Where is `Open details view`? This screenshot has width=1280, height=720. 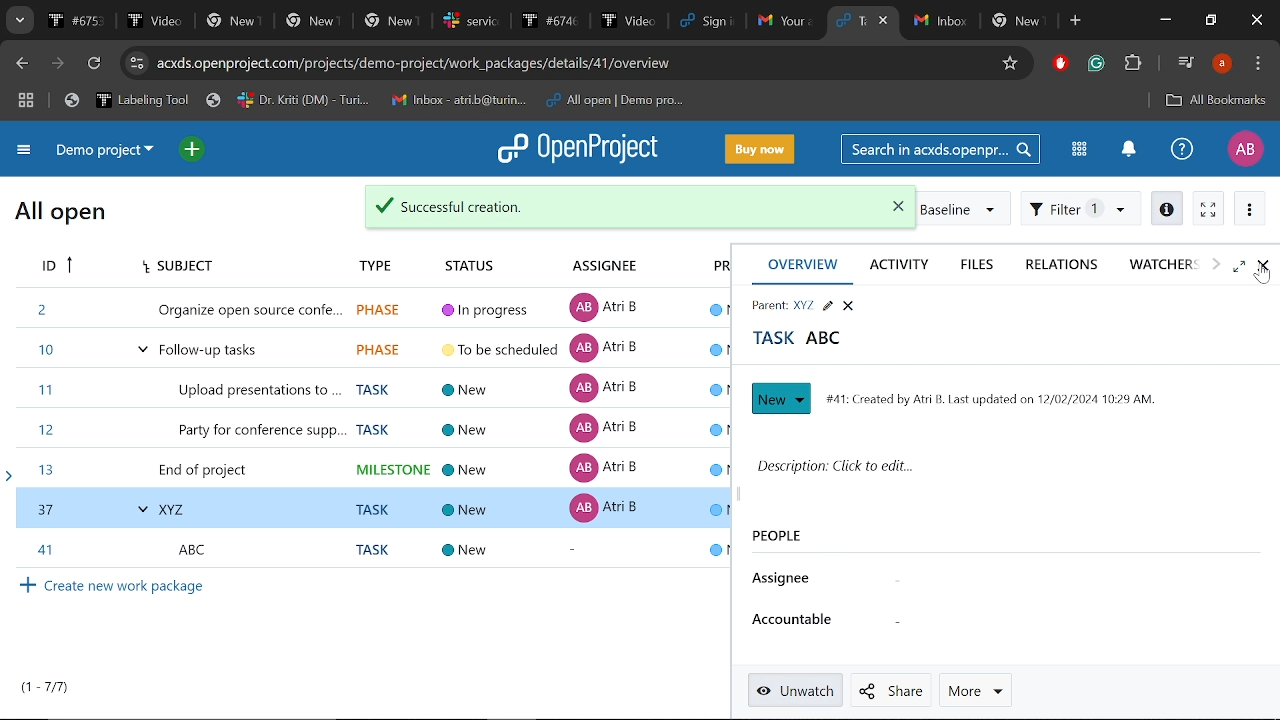
Open details view is located at coordinates (1166, 207).